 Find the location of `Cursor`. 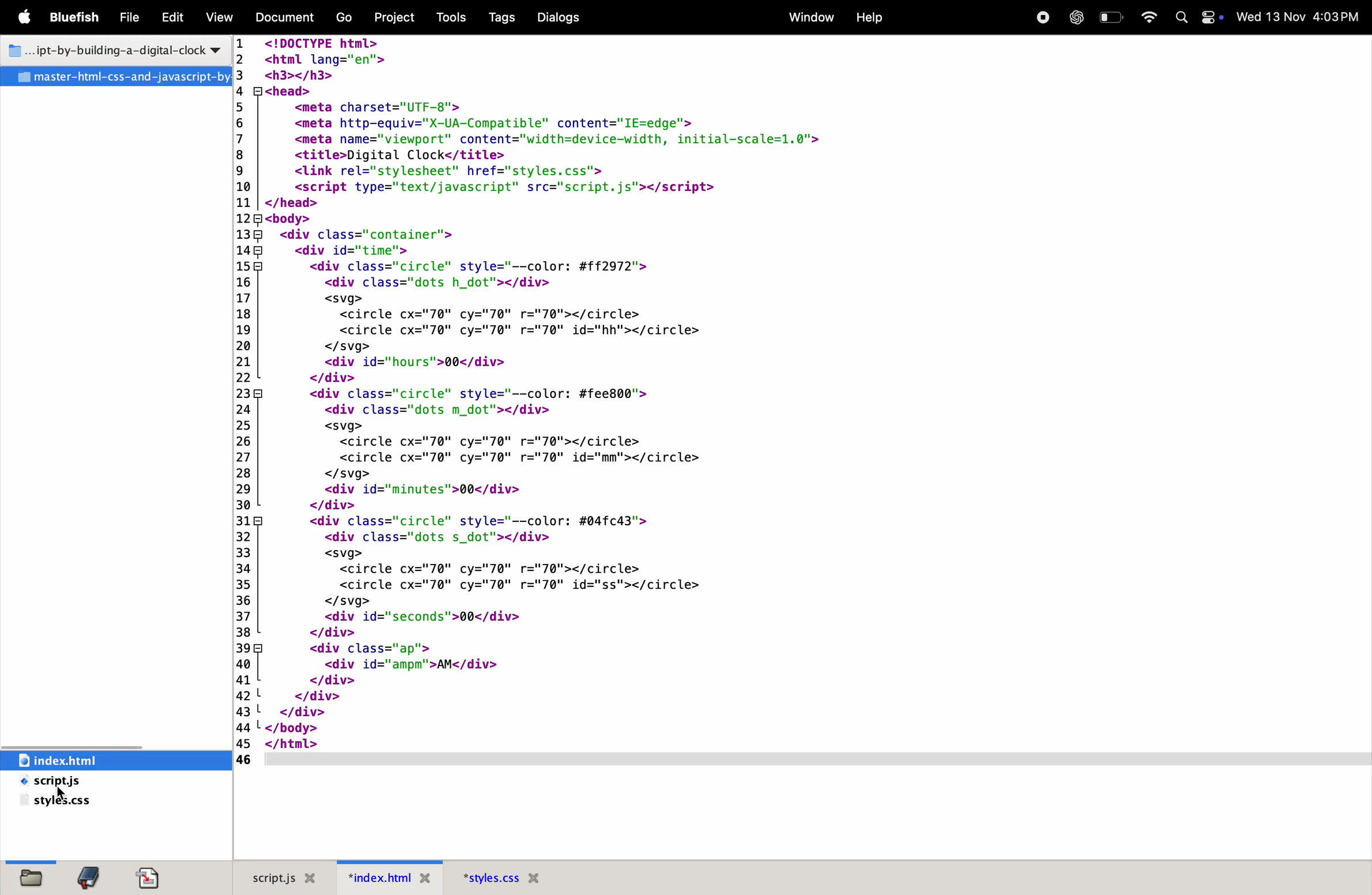

Cursor is located at coordinates (59, 792).